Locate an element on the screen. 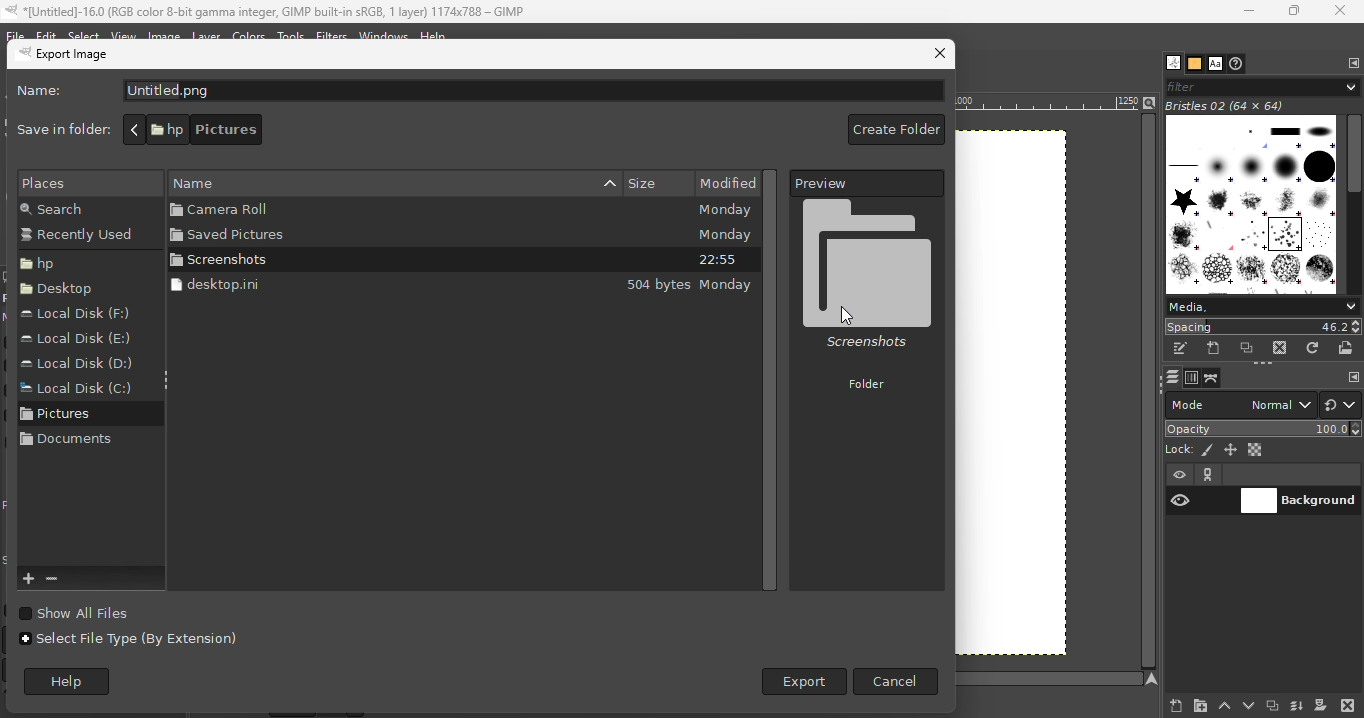  Local dsk (D:) is located at coordinates (81, 363).